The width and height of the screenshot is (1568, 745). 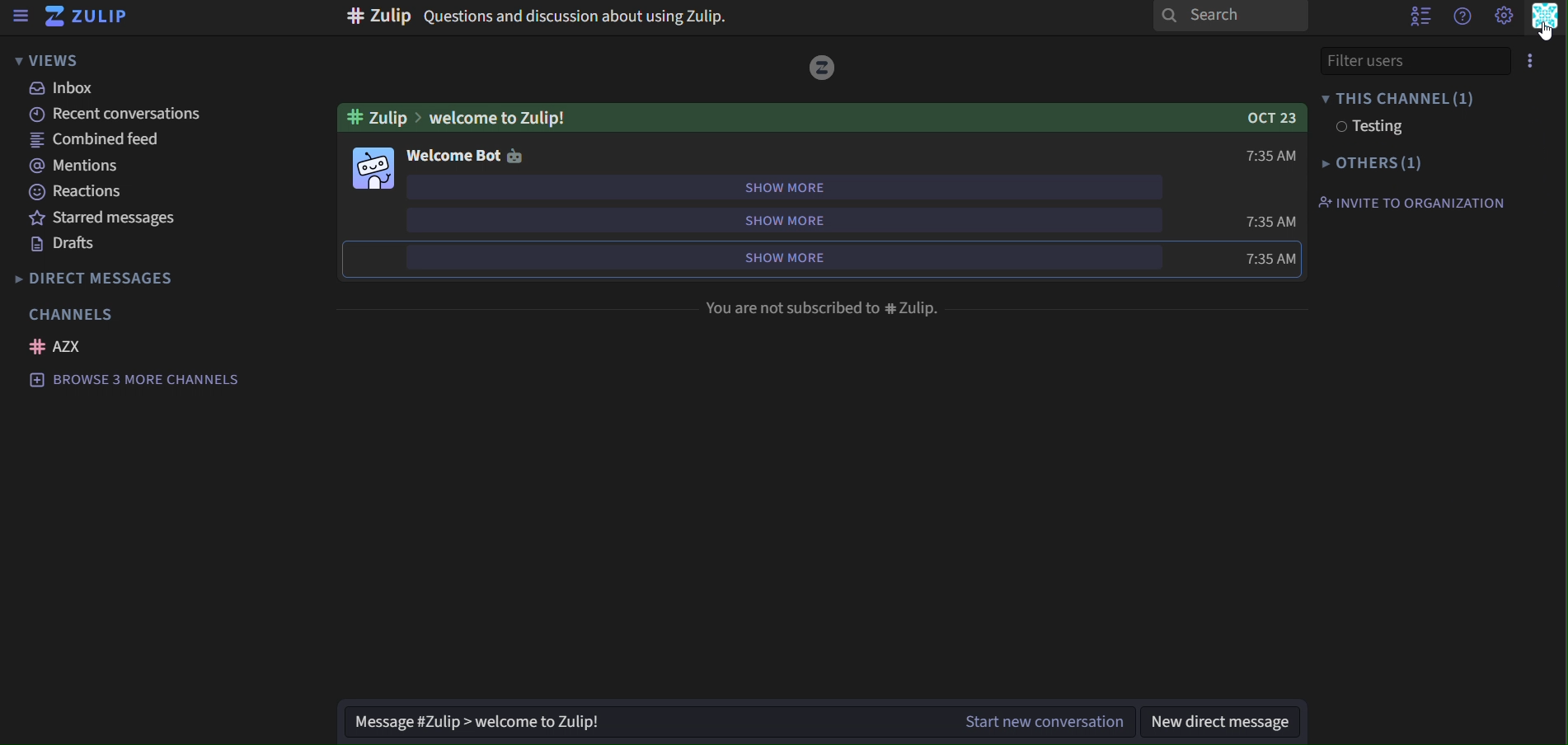 I want to click on testing1, so click(x=1381, y=127).